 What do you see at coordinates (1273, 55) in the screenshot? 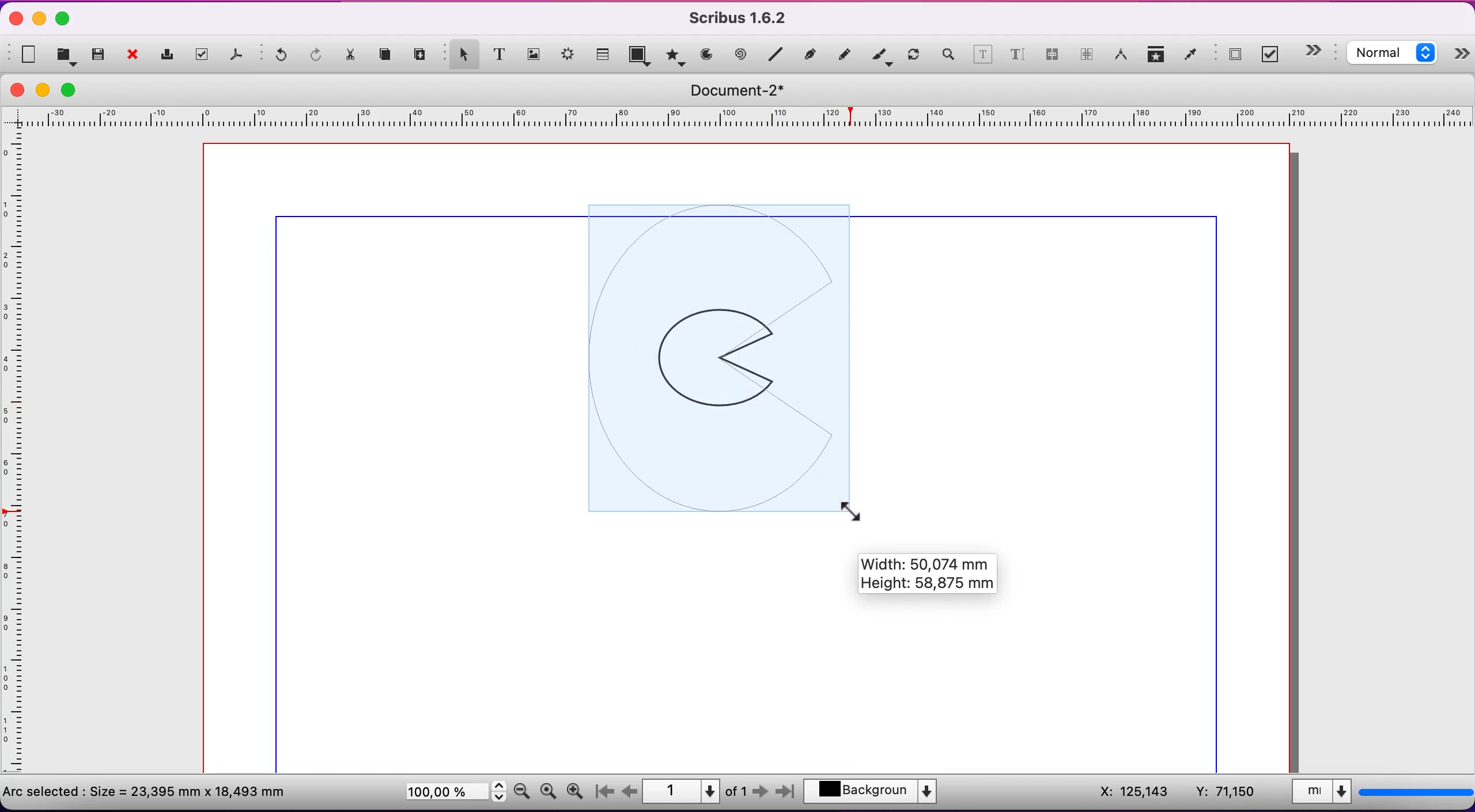
I see `inser pdf check box` at bounding box center [1273, 55].